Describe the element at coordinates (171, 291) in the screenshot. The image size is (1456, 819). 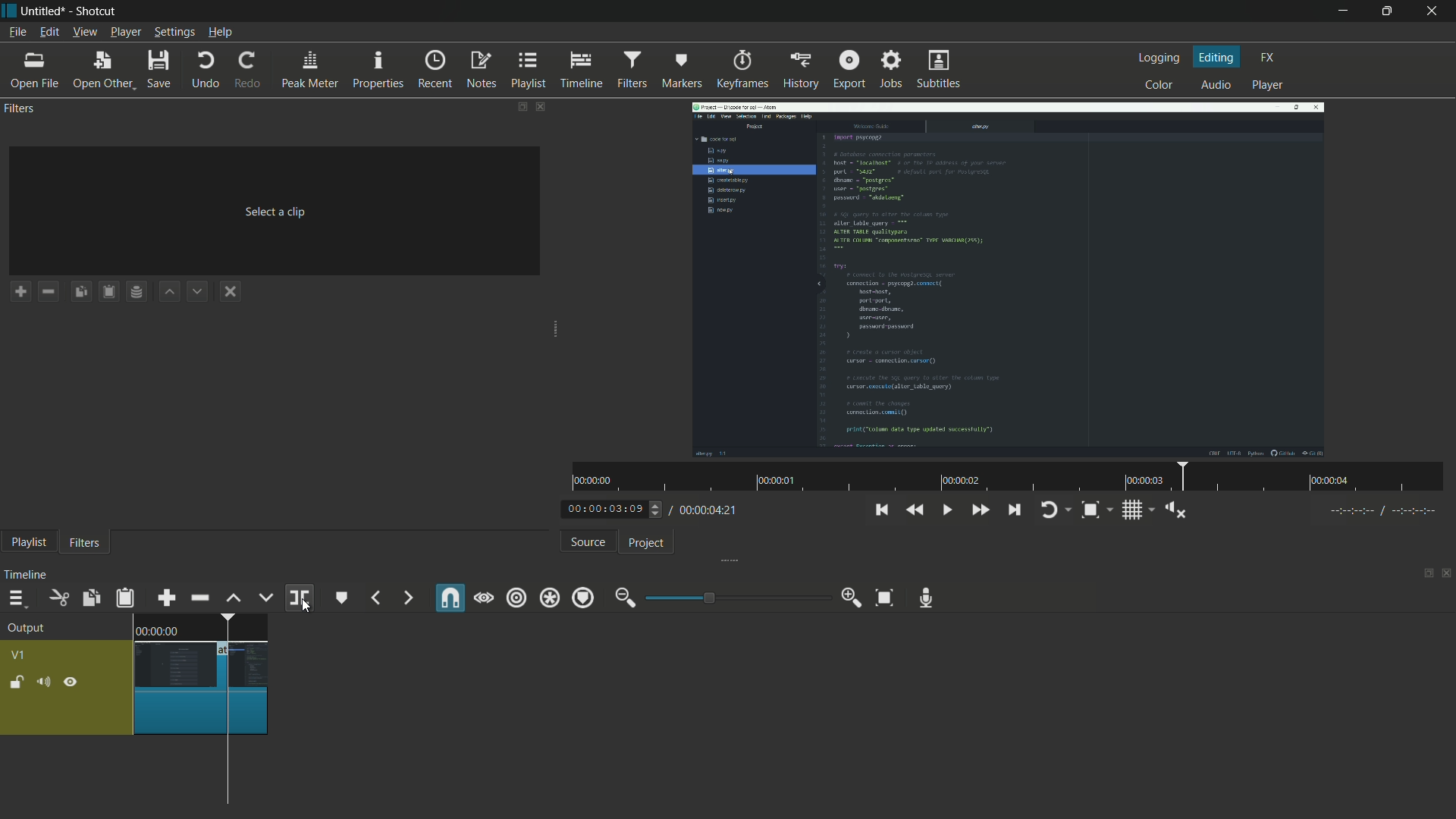
I see `move filter up` at that location.